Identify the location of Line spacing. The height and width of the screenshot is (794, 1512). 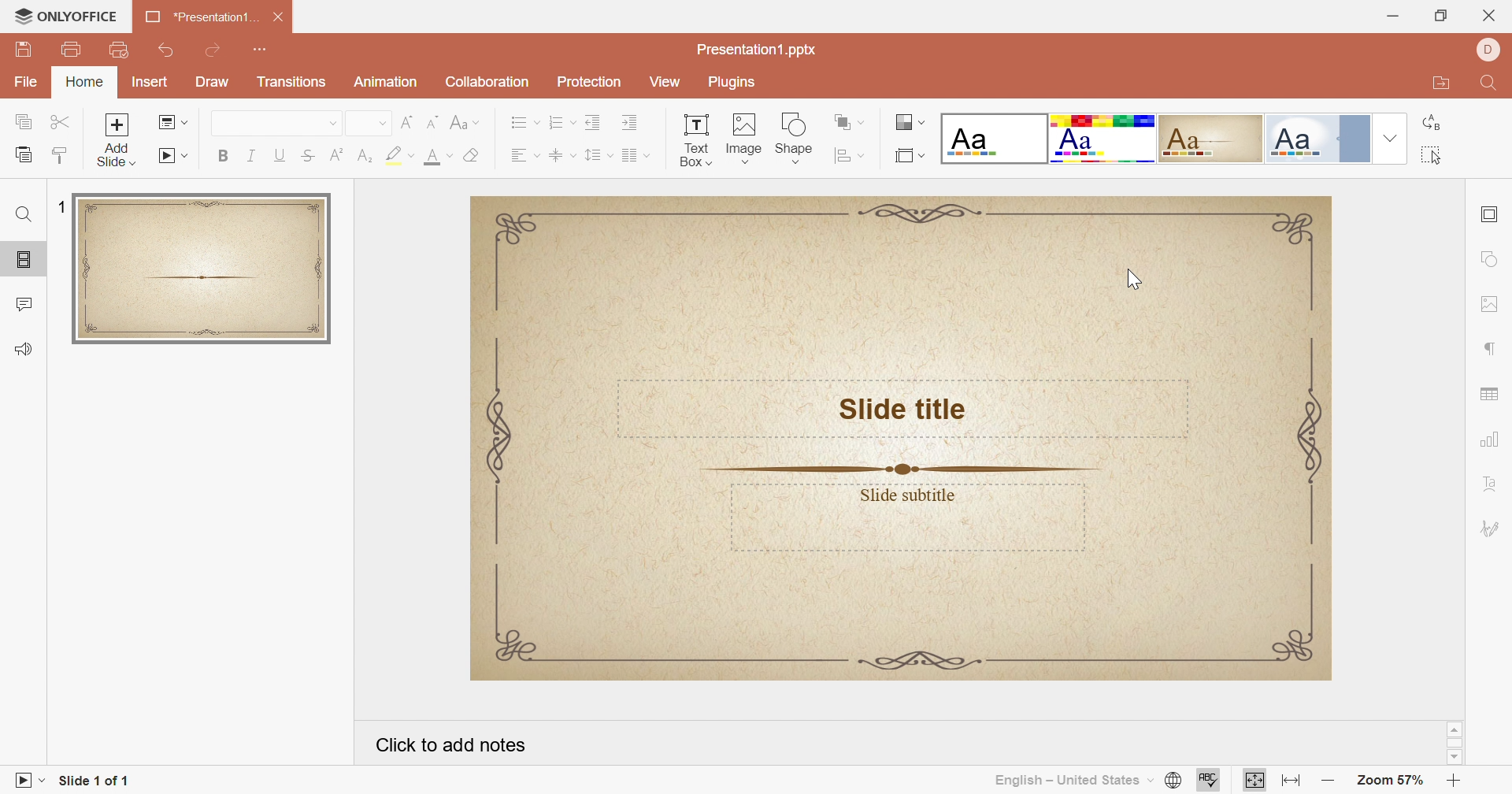
(598, 154).